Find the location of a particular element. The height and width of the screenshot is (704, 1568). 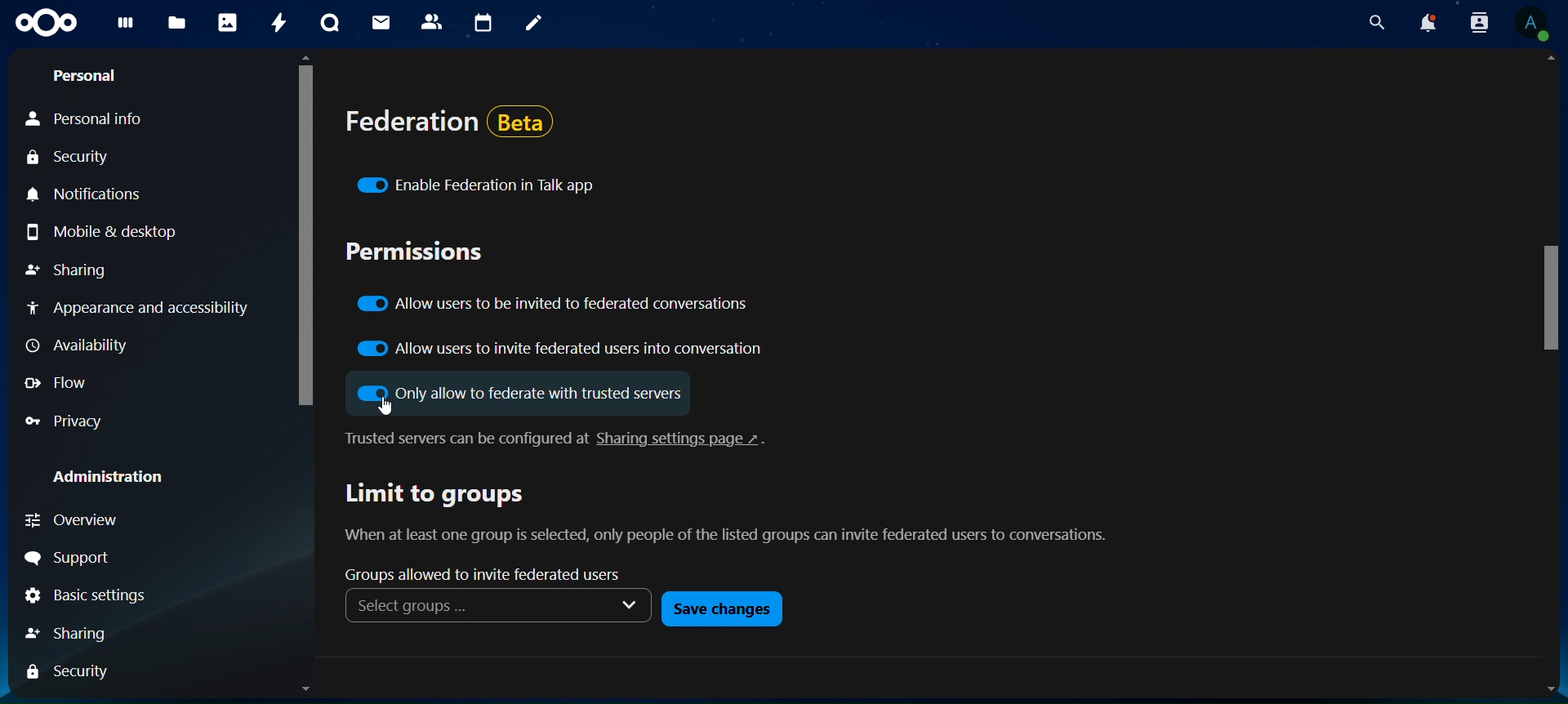

mail is located at coordinates (381, 22).